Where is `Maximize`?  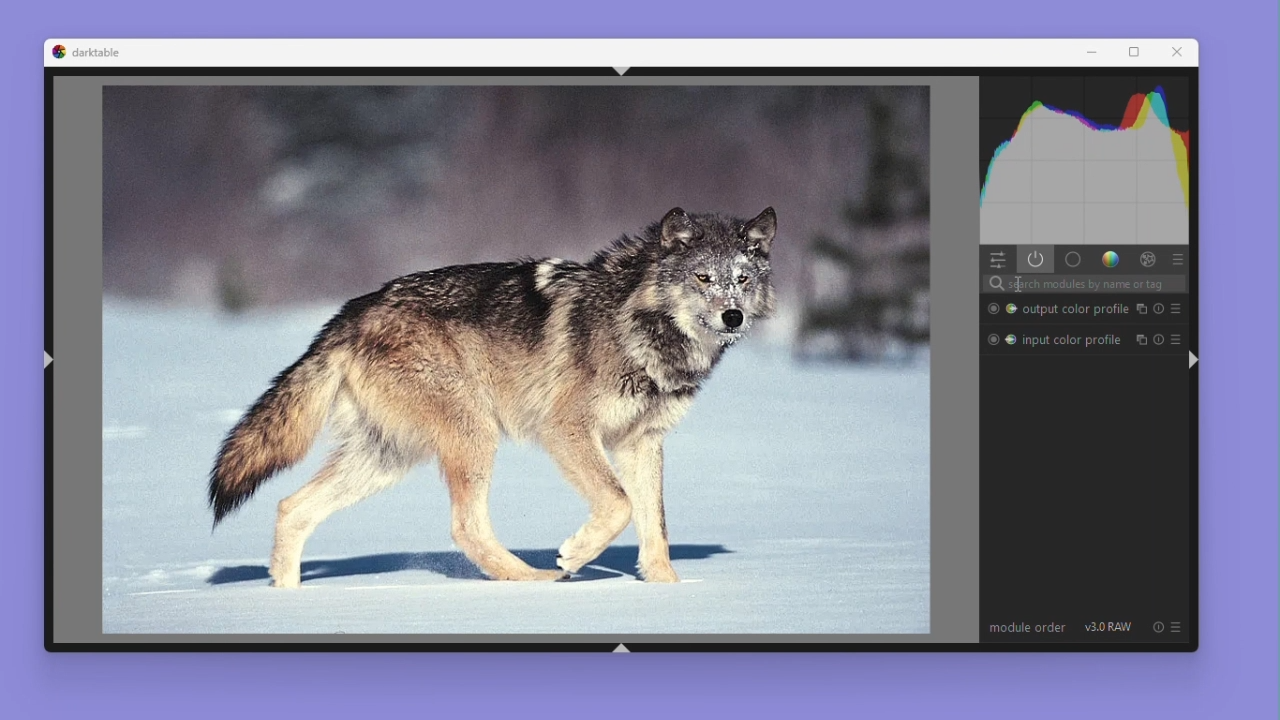
Maximize is located at coordinates (1135, 52).